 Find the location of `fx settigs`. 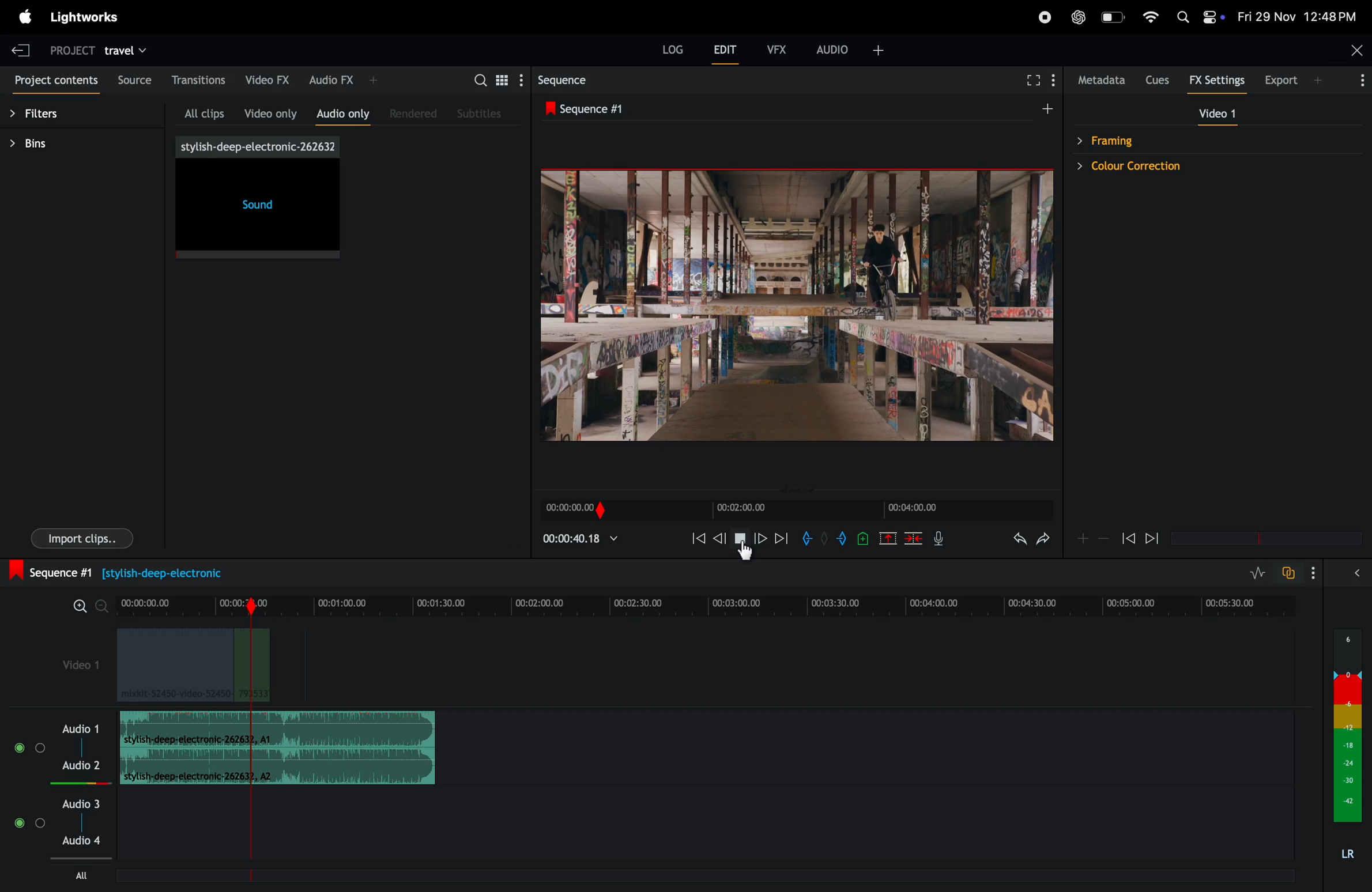

fx settigs is located at coordinates (1219, 81).